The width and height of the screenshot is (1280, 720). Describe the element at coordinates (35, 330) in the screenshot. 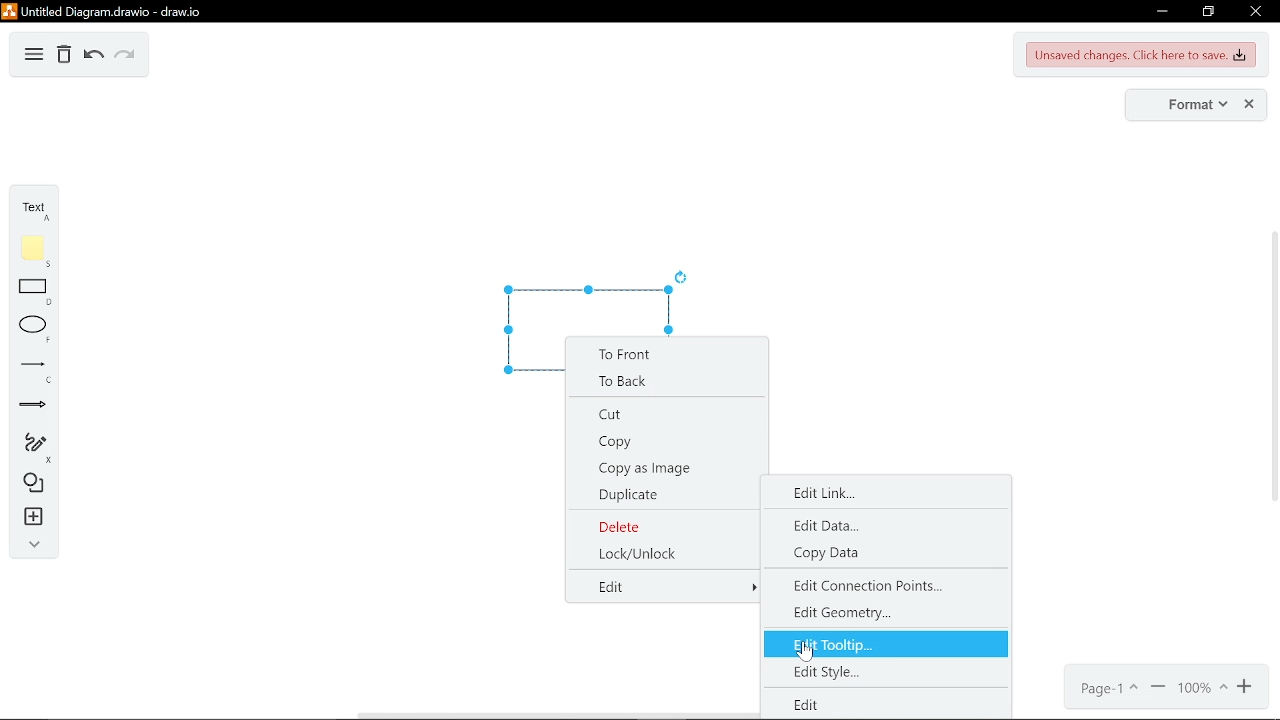

I see `ellipse` at that location.